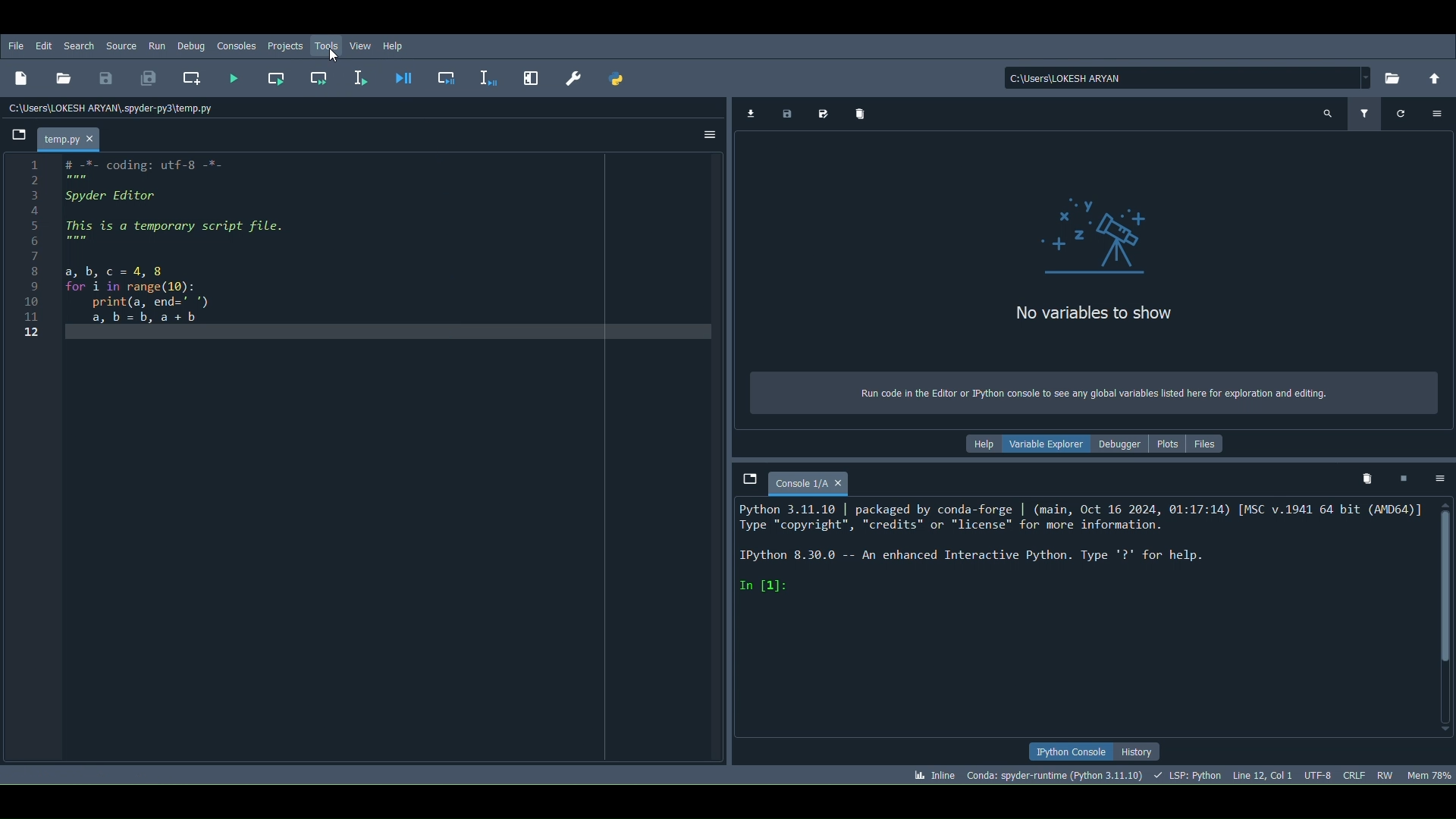 This screenshot has width=1456, height=819. I want to click on Version, so click(1056, 774).